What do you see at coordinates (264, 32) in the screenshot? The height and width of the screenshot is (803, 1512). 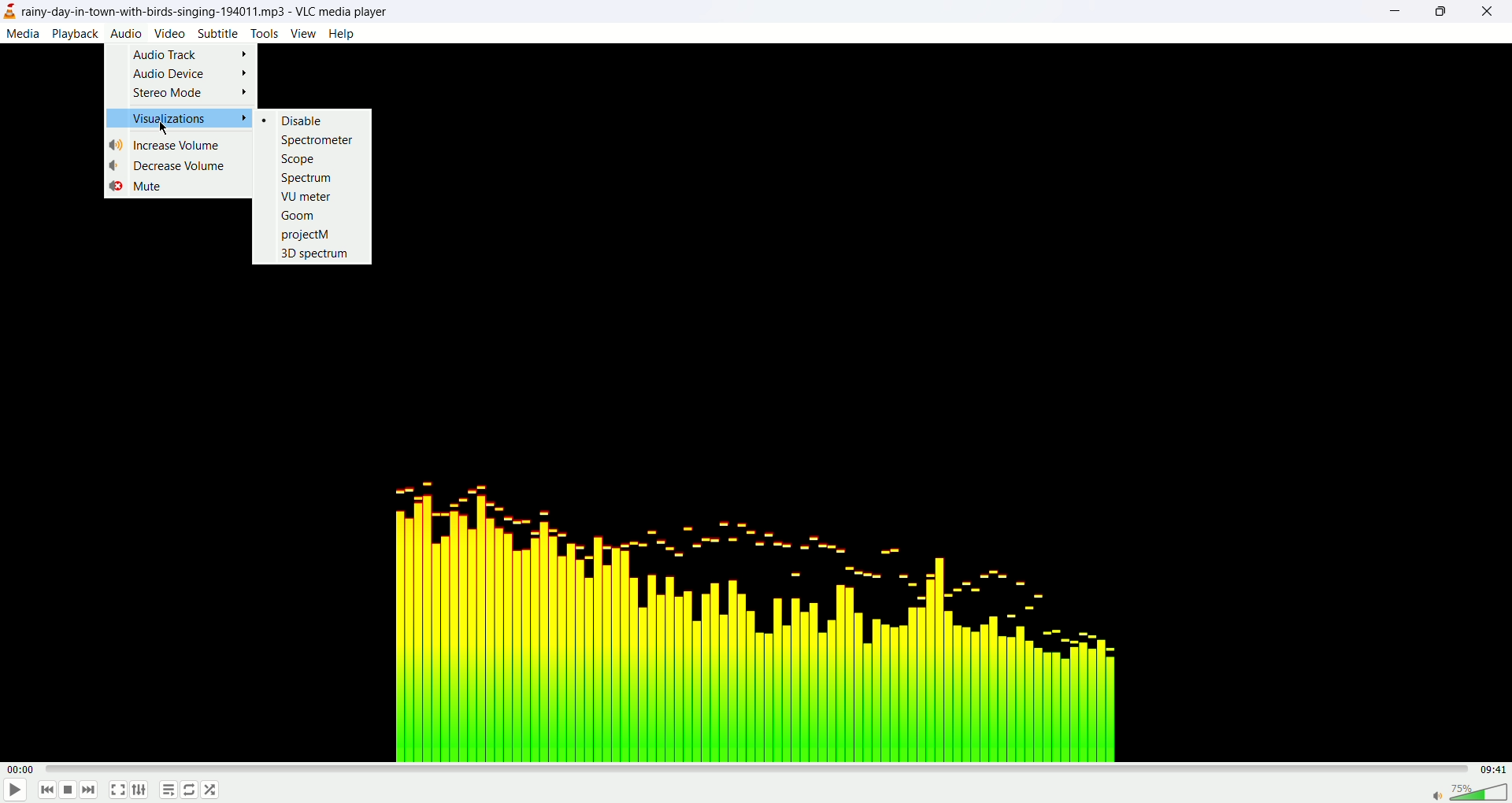 I see `tools` at bounding box center [264, 32].